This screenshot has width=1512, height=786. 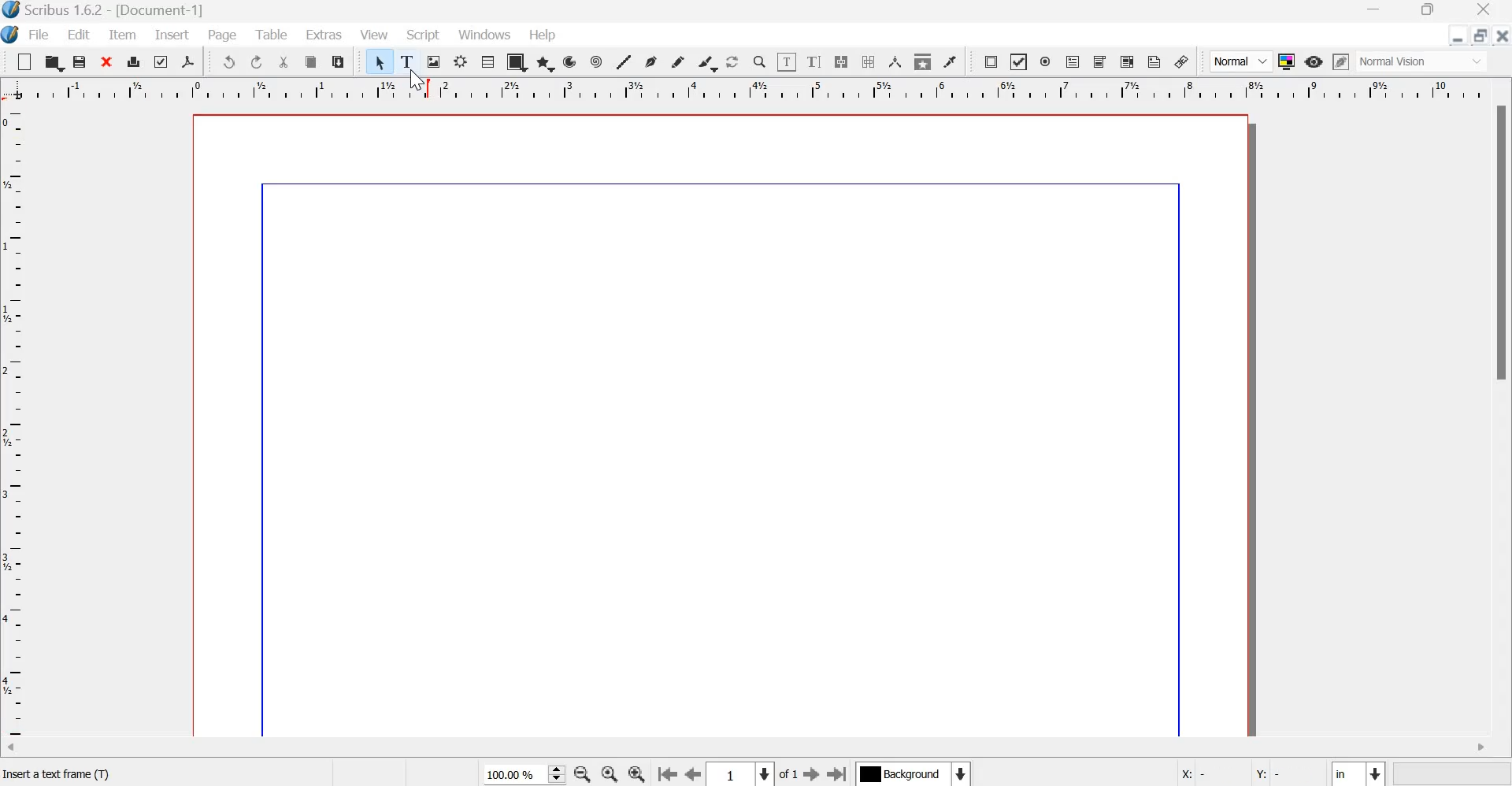 What do you see at coordinates (187, 61) in the screenshot?
I see `save as pdf` at bounding box center [187, 61].